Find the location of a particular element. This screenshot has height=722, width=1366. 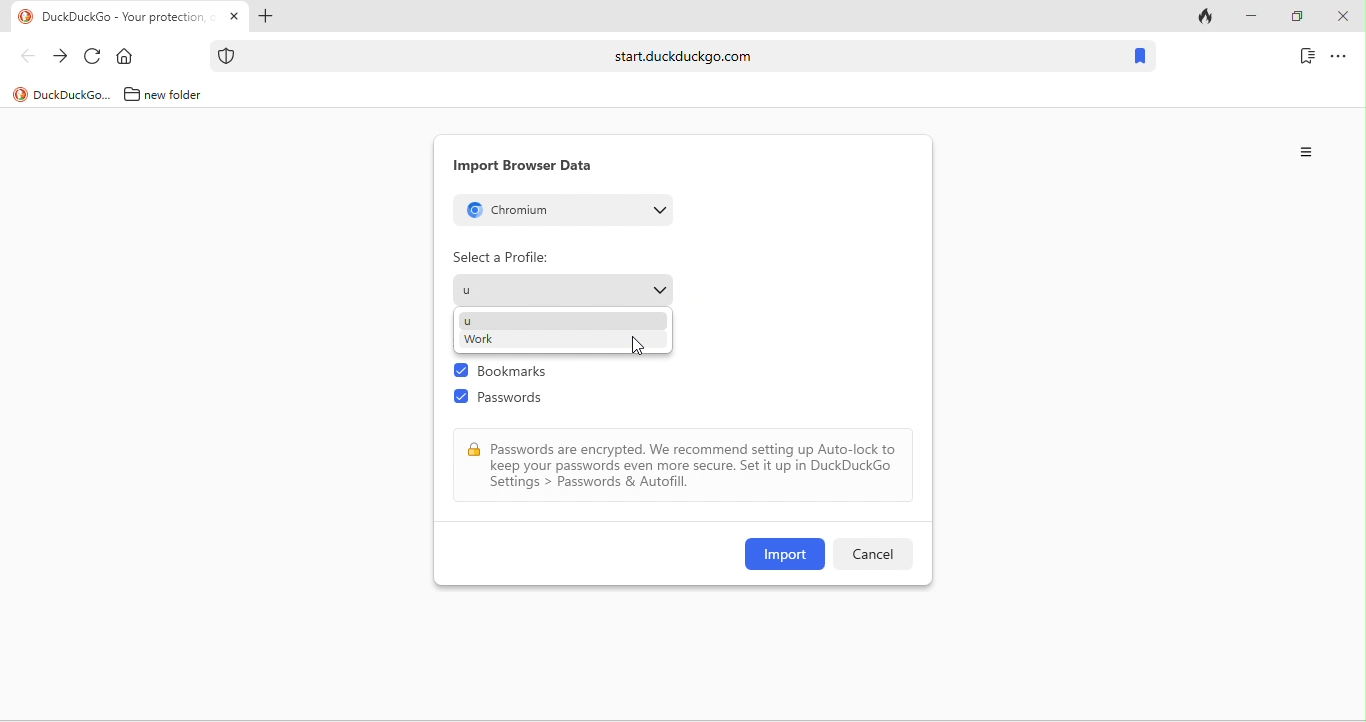

select browser is located at coordinates (567, 209).